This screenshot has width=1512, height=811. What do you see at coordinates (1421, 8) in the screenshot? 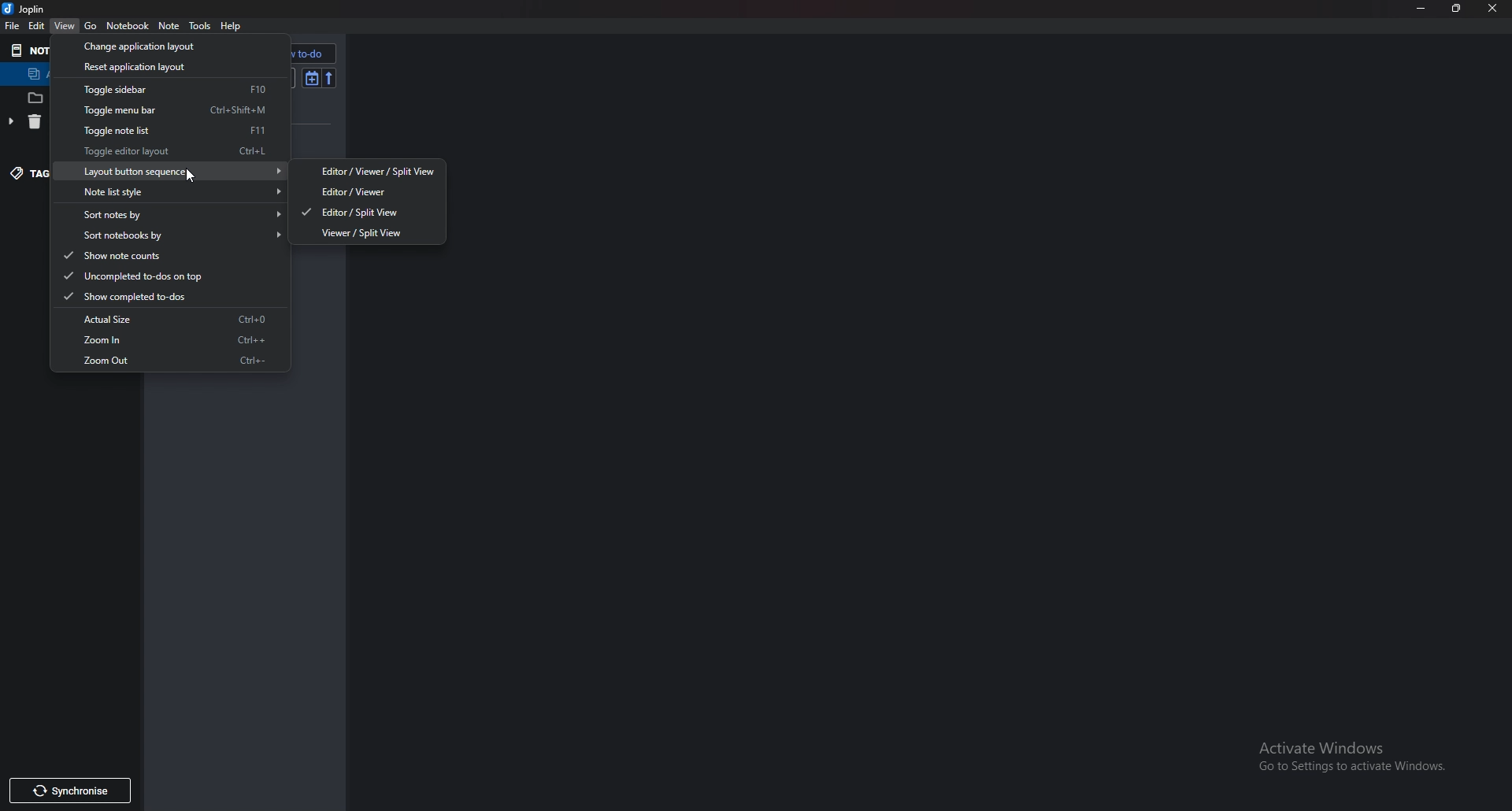
I see `Minimize` at bounding box center [1421, 8].